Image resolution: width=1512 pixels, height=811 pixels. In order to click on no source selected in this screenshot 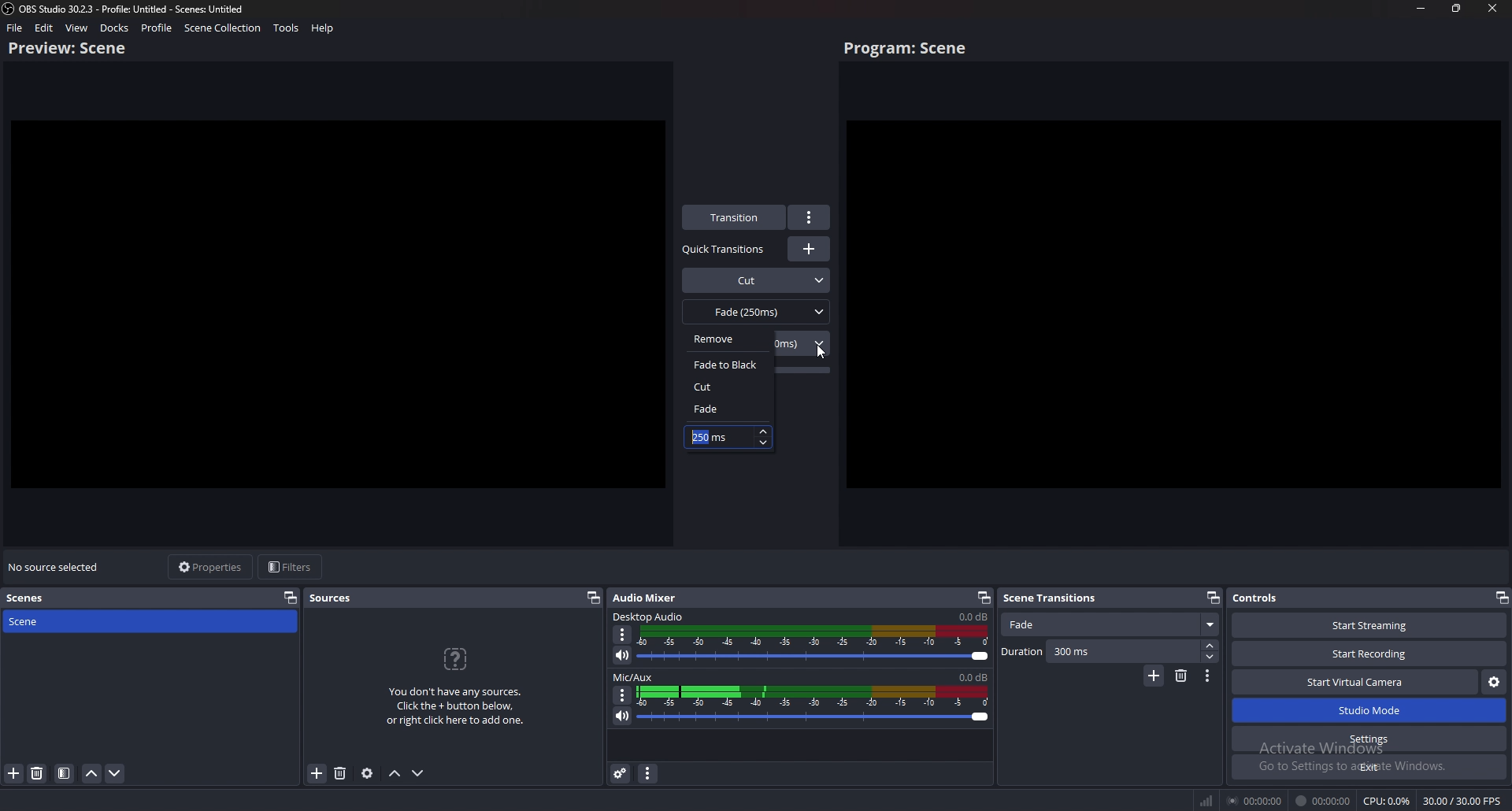, I will do `click(55, 567)`.